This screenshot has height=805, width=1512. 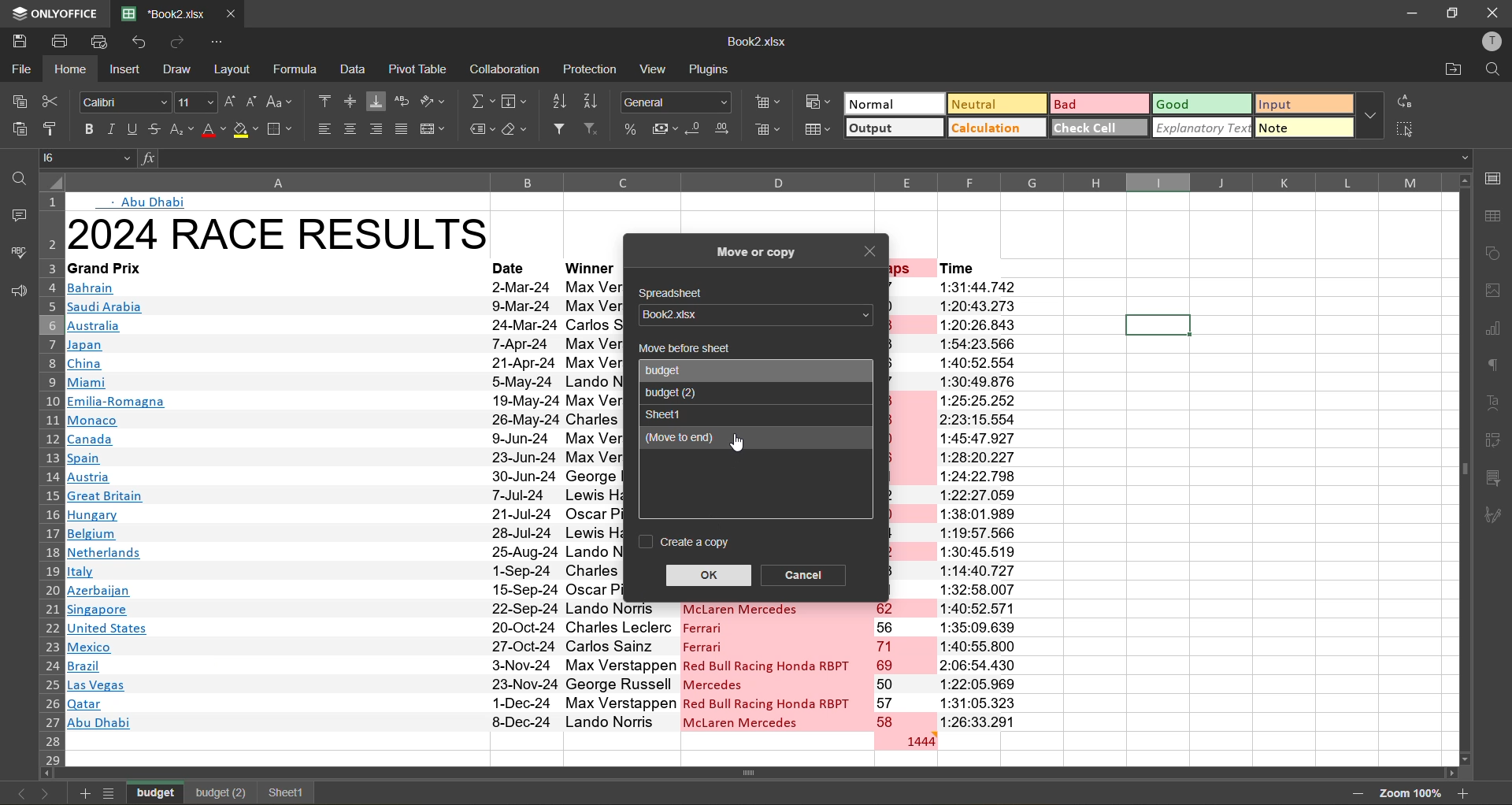 I want to click on clear filter, so click(x=597, y=131).